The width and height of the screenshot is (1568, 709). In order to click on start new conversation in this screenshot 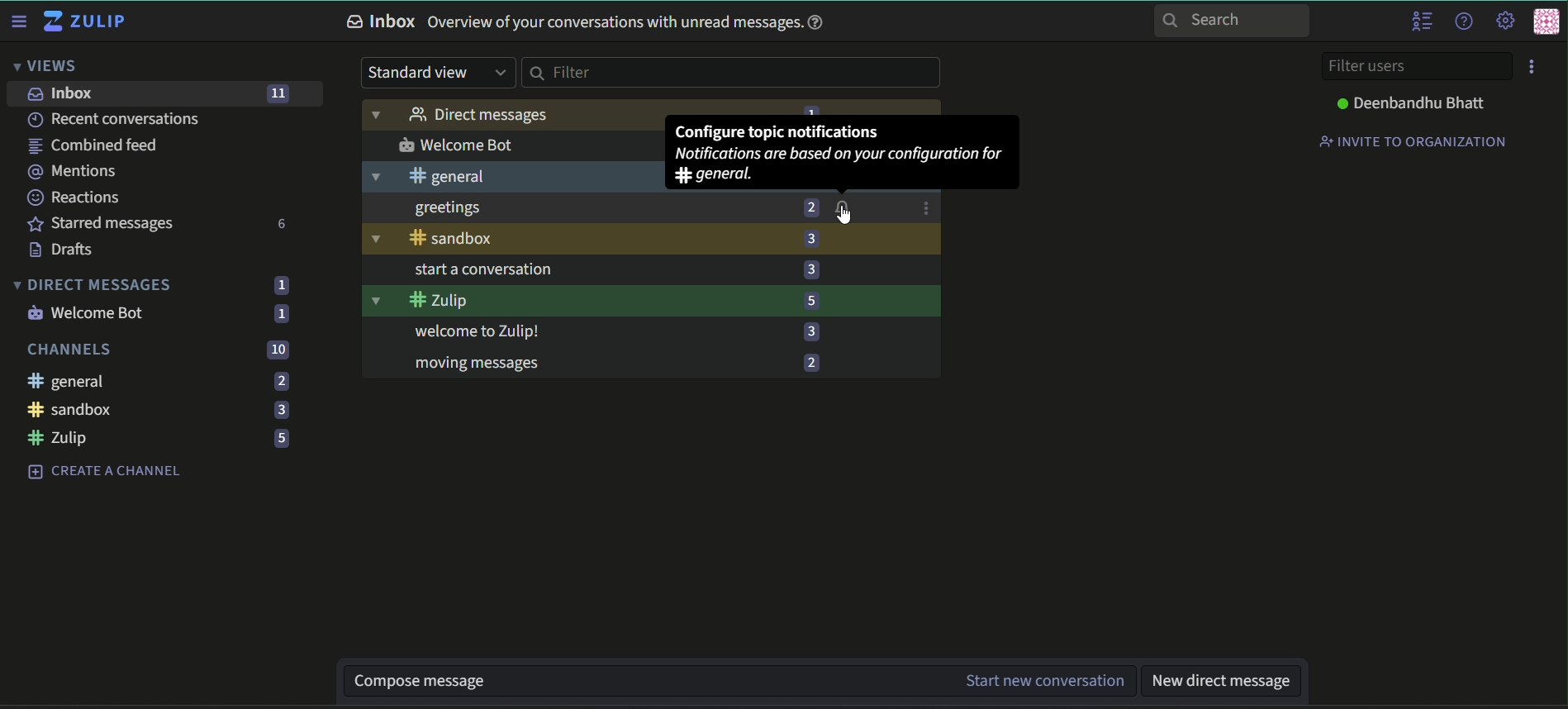, I will do `click(1041, 681)`.